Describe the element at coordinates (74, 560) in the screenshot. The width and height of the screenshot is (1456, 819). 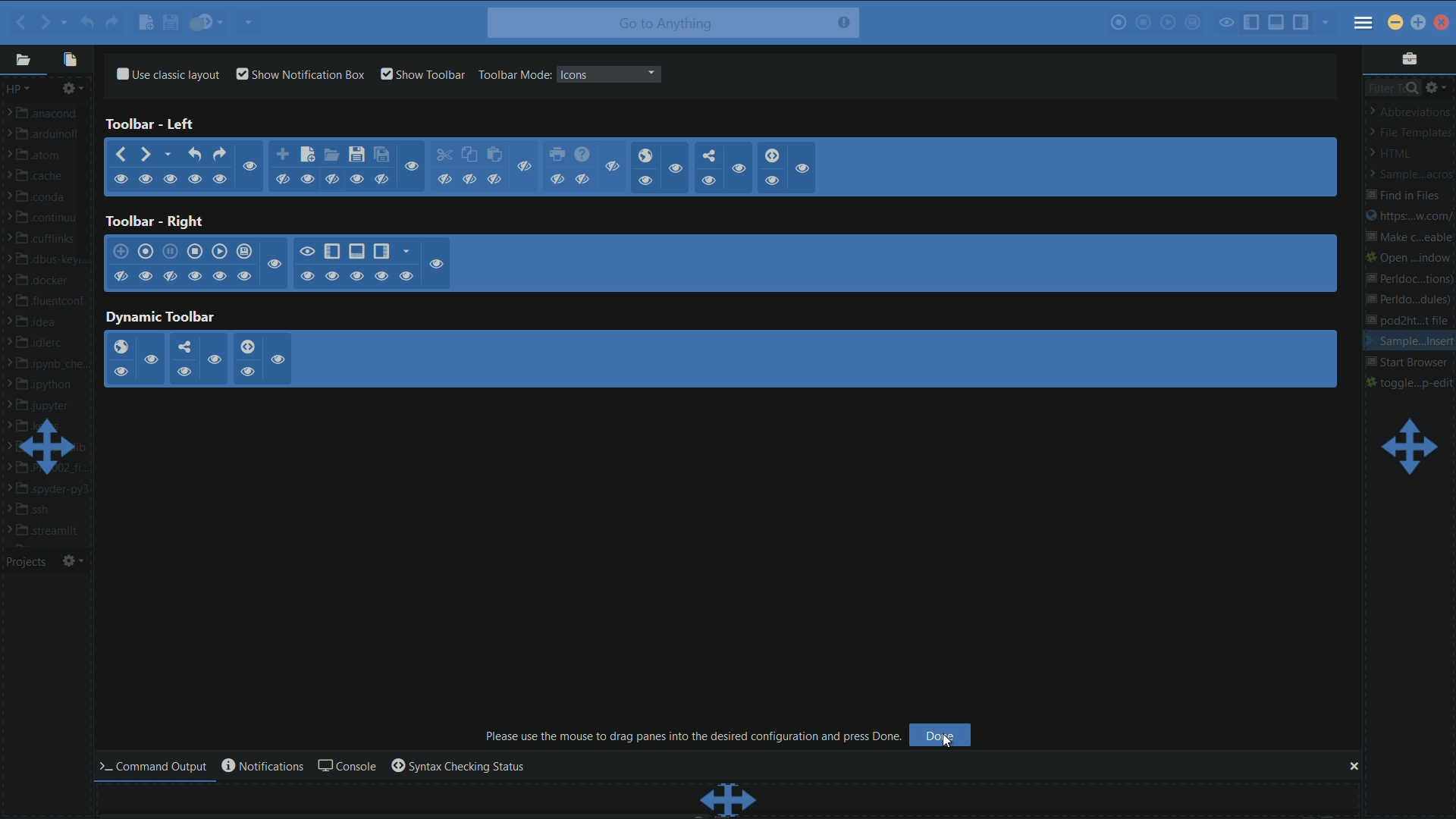
I see `Settings` at that location.